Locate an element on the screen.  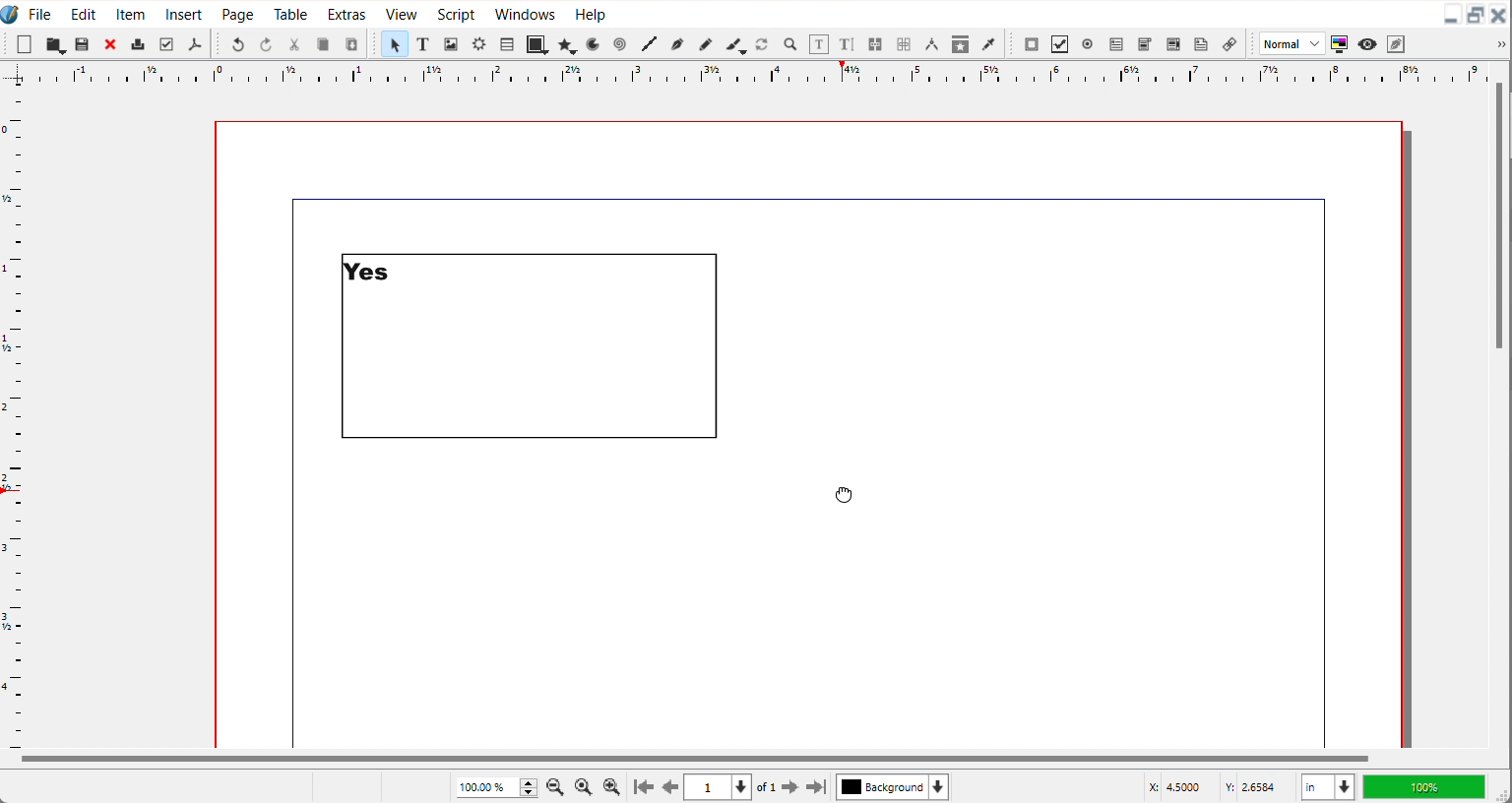
Go to previous page is located at coordinates (670, 787).